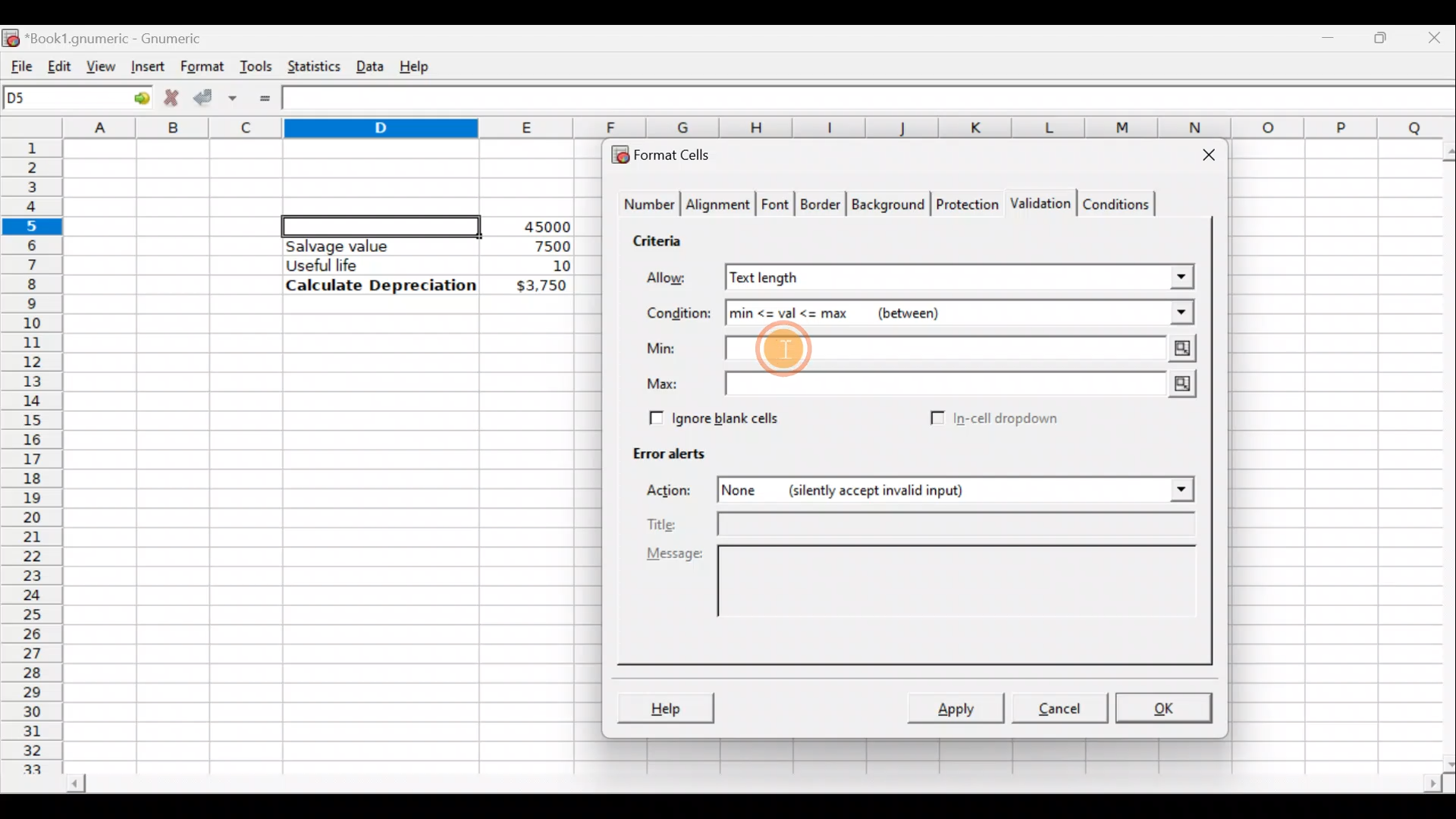  What do you see at coordinates (670, 154) in the screenshot?
I see `Format cells` at bounding box center [670, 154].